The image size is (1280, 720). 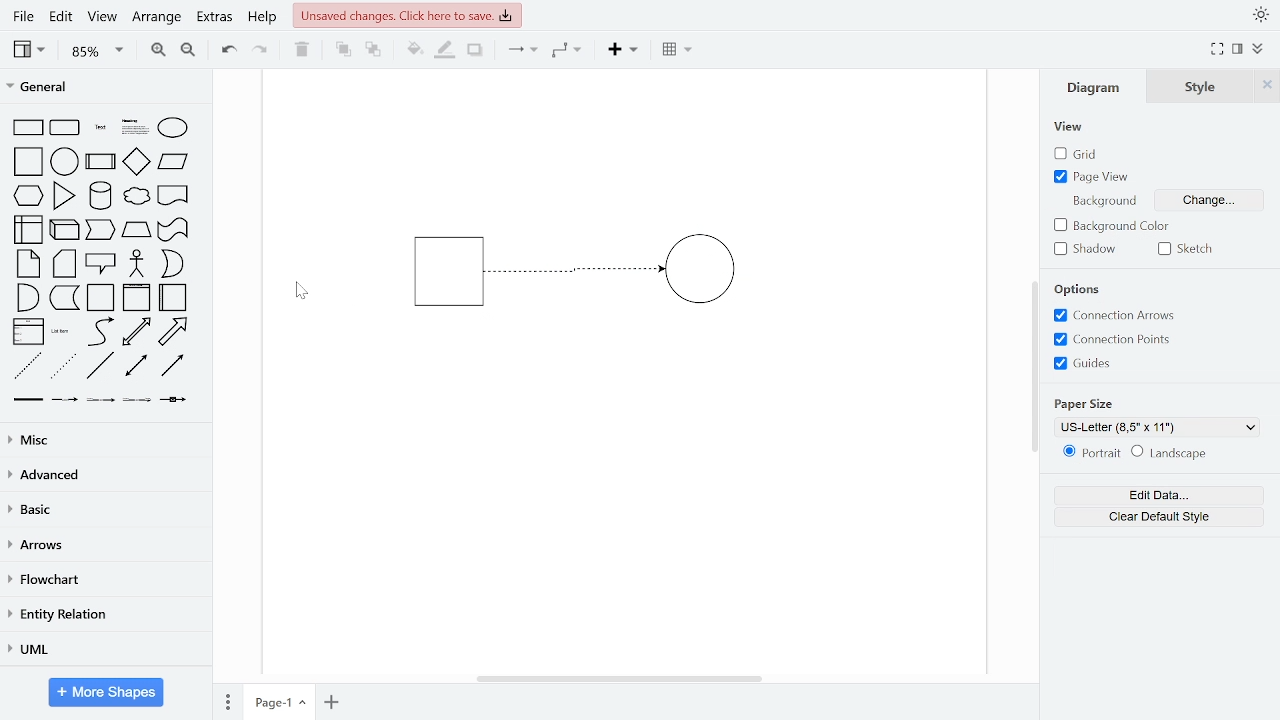 I want to click on portrait, so click(x=1094, y=452).